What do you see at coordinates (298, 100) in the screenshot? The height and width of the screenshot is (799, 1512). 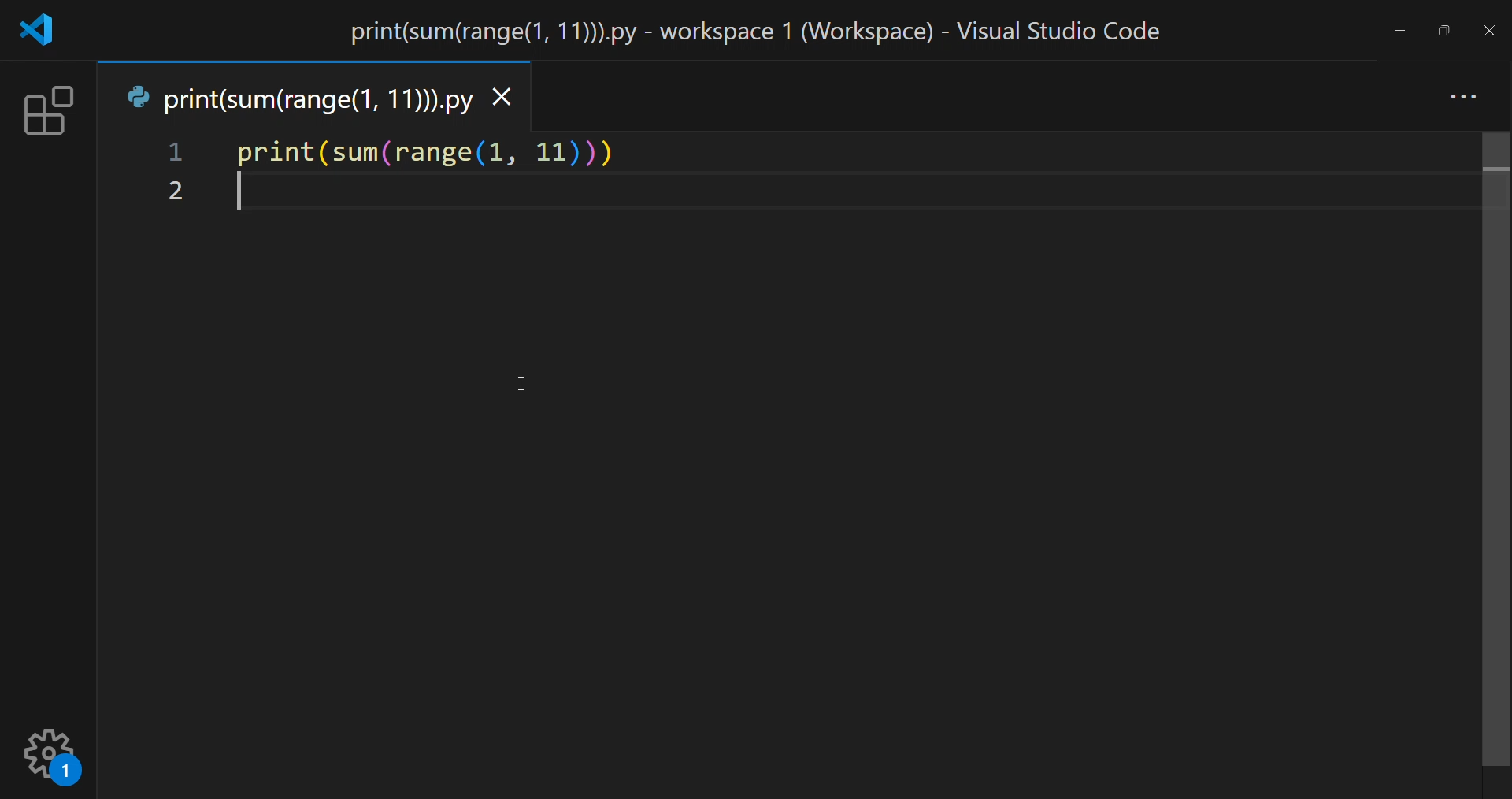 I see ` print(sum(range(1, 11))).py` at bounding box center [298, 100].